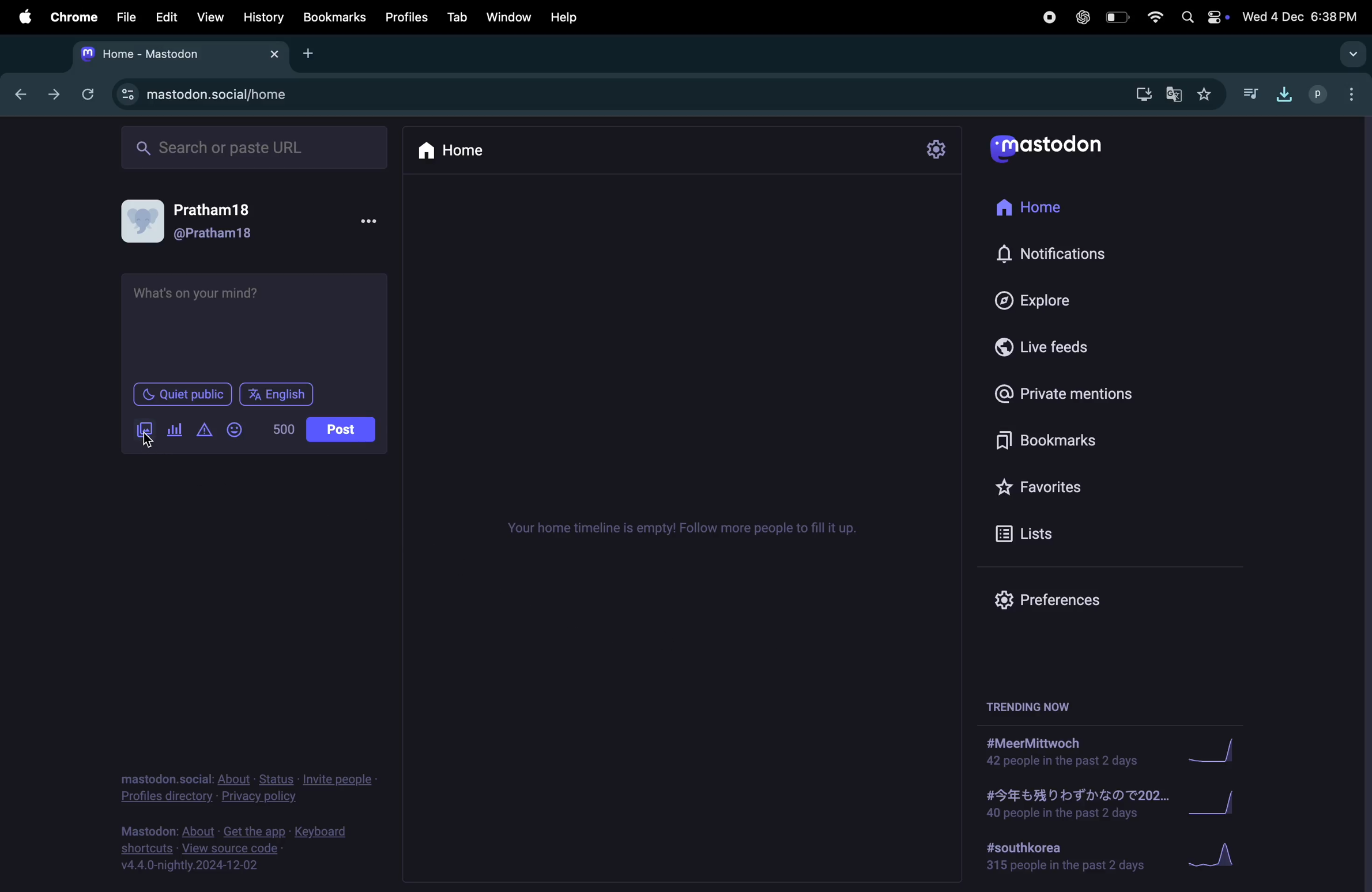  What do you see at coordinates (457, 17) in the screenshot?
I see `tab` at bounding box center [457, 17].